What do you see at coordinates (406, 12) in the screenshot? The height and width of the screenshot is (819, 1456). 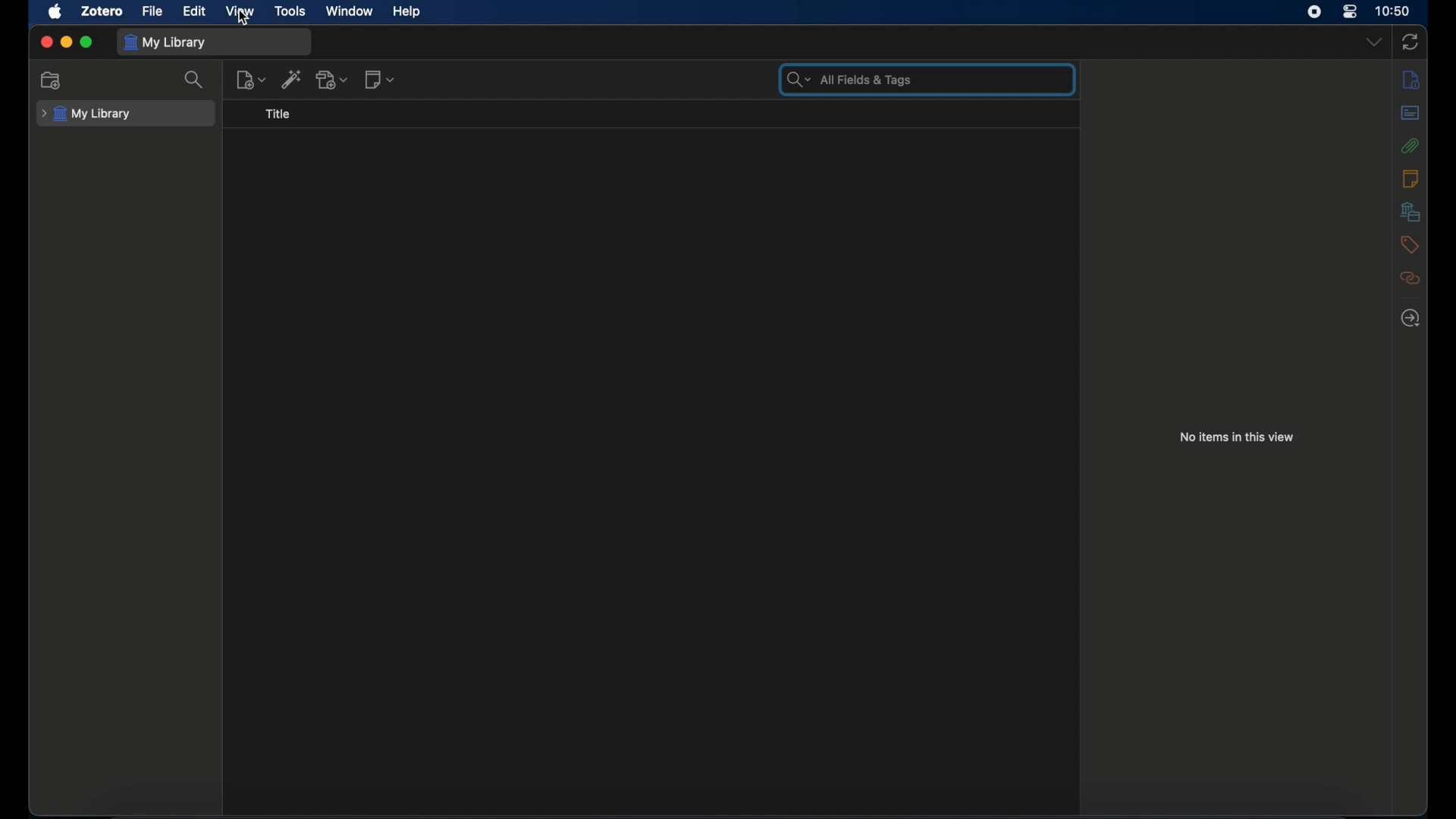 I see `help` at bounding box center [406, 12].